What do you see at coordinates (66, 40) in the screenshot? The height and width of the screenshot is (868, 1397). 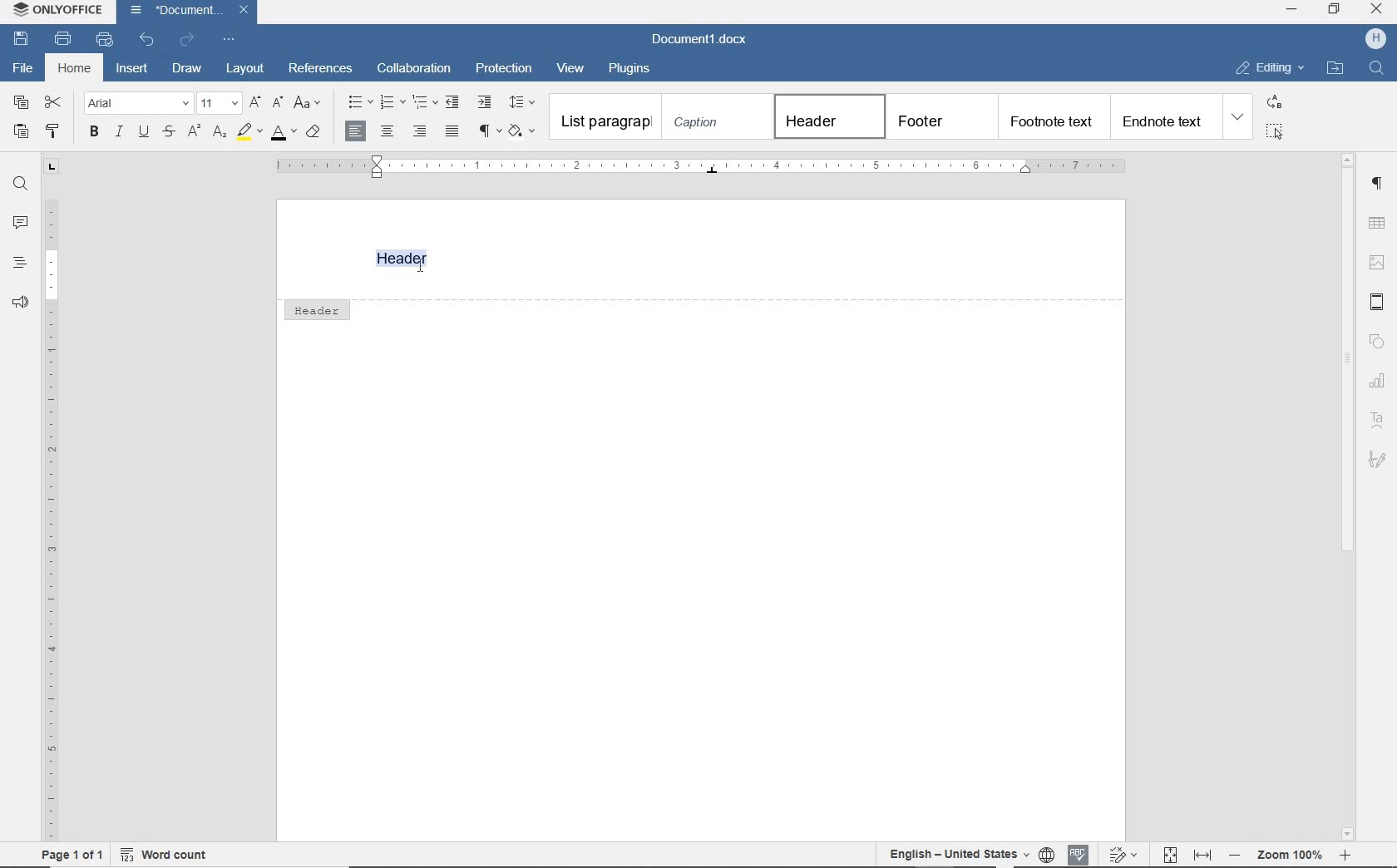 I see `print` at bounding box center [66, 40].